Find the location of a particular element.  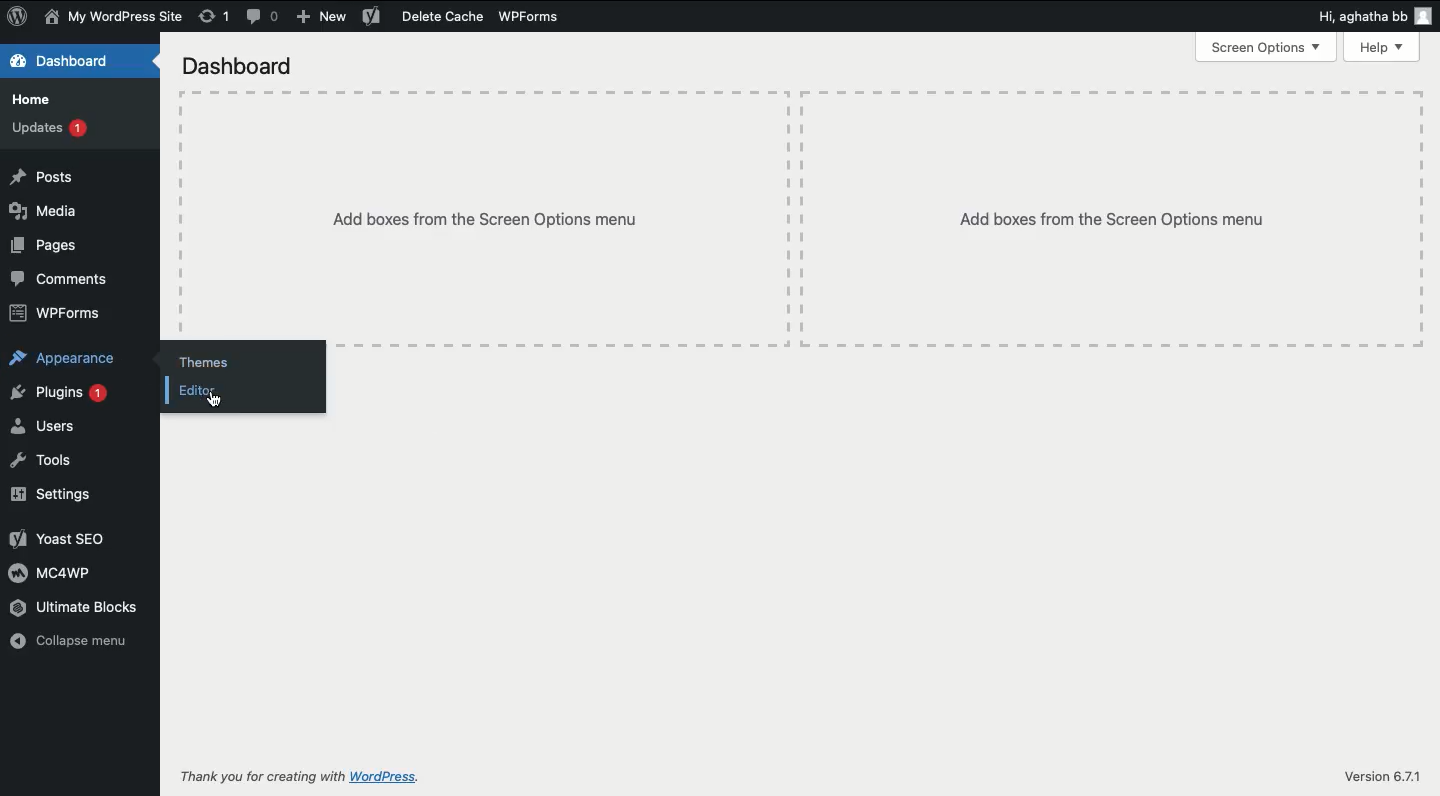

Yoast SEO is located at coordinates (72, 535).